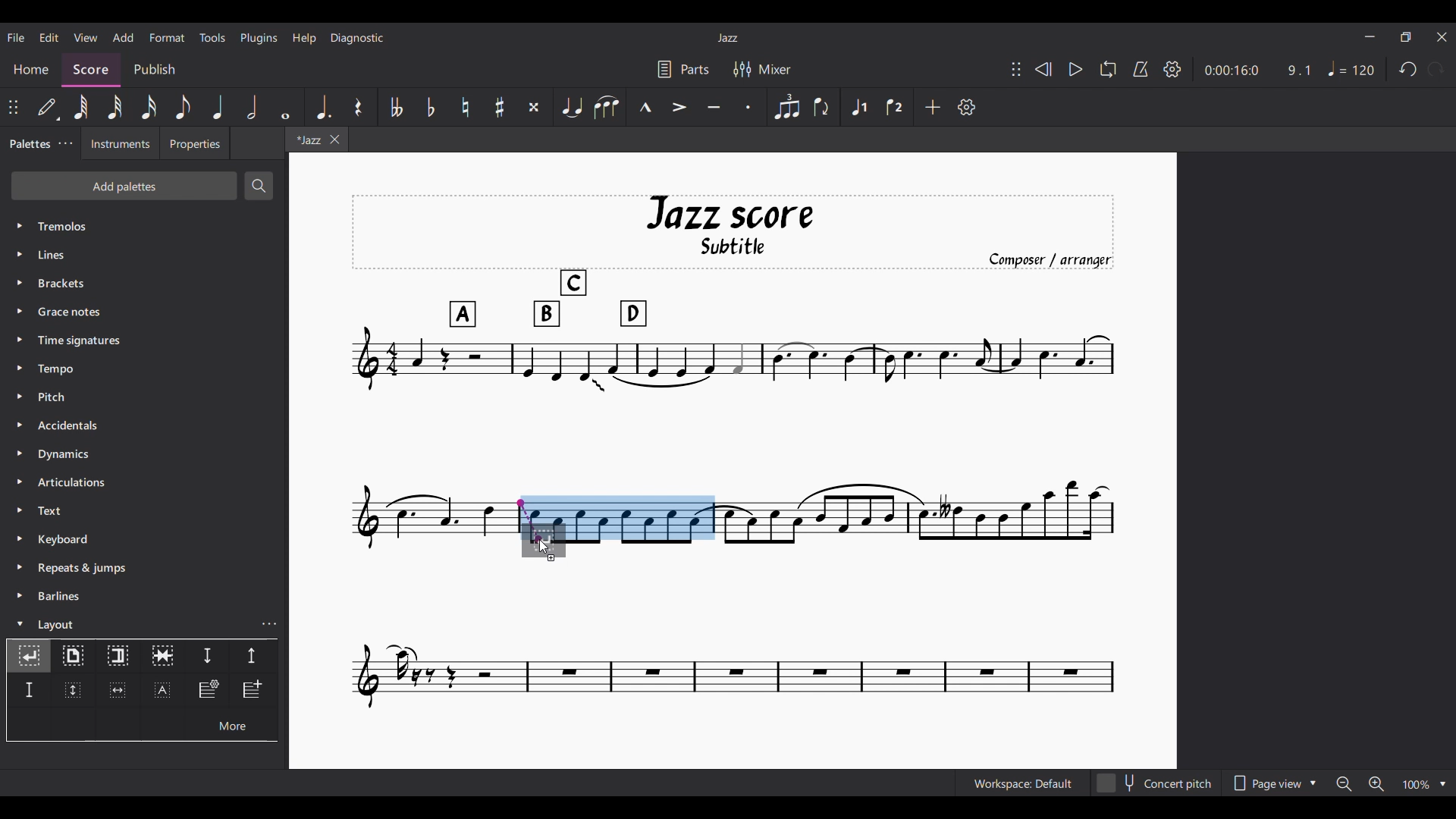 The height and width of the screenshot is (819, 1456). Describe the element at coordinates (306, 139) in the screenshot. I see `*Jazz - current tab` at that location.